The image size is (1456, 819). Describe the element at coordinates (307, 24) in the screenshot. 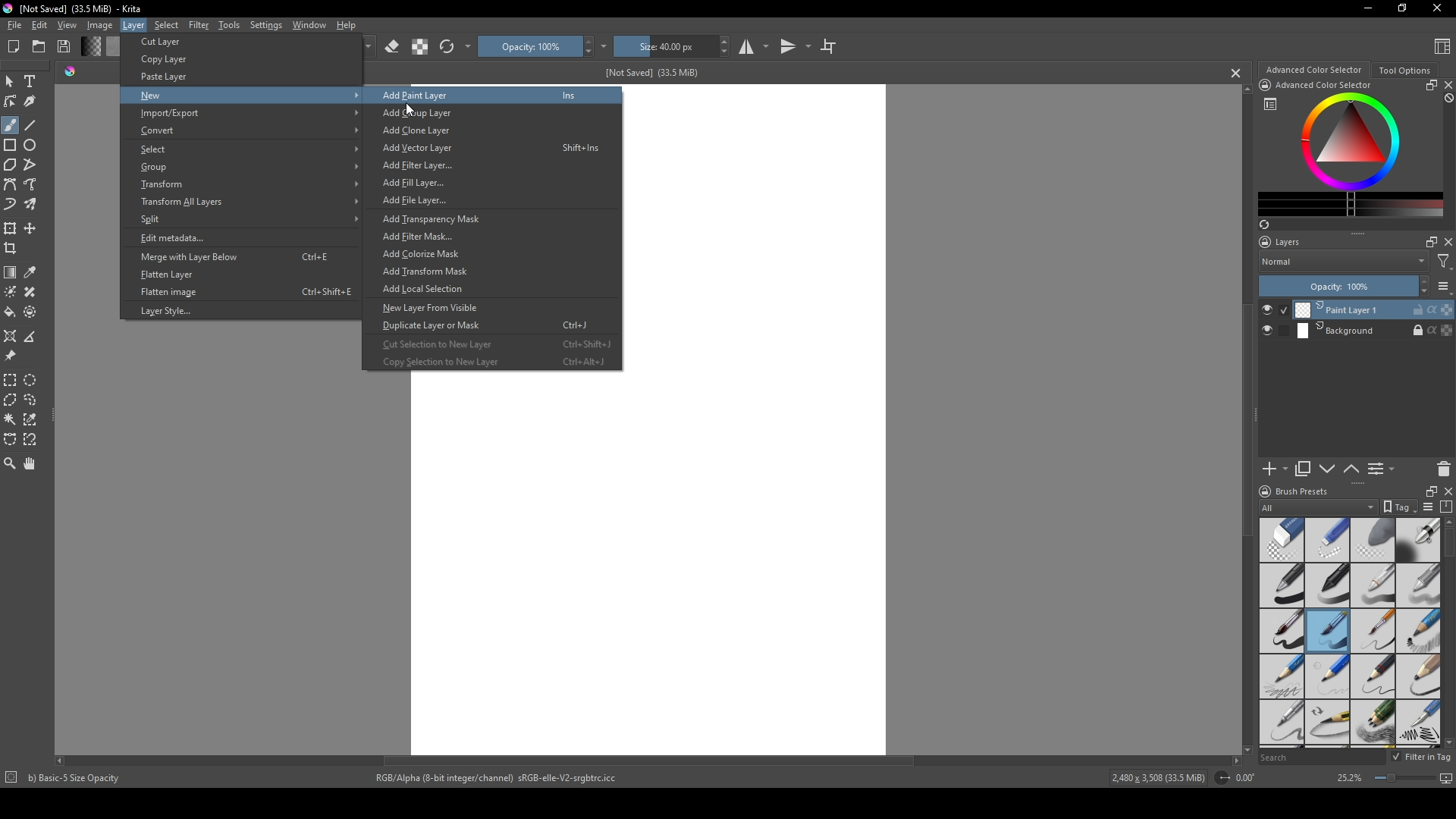

I see `Window` at that location.